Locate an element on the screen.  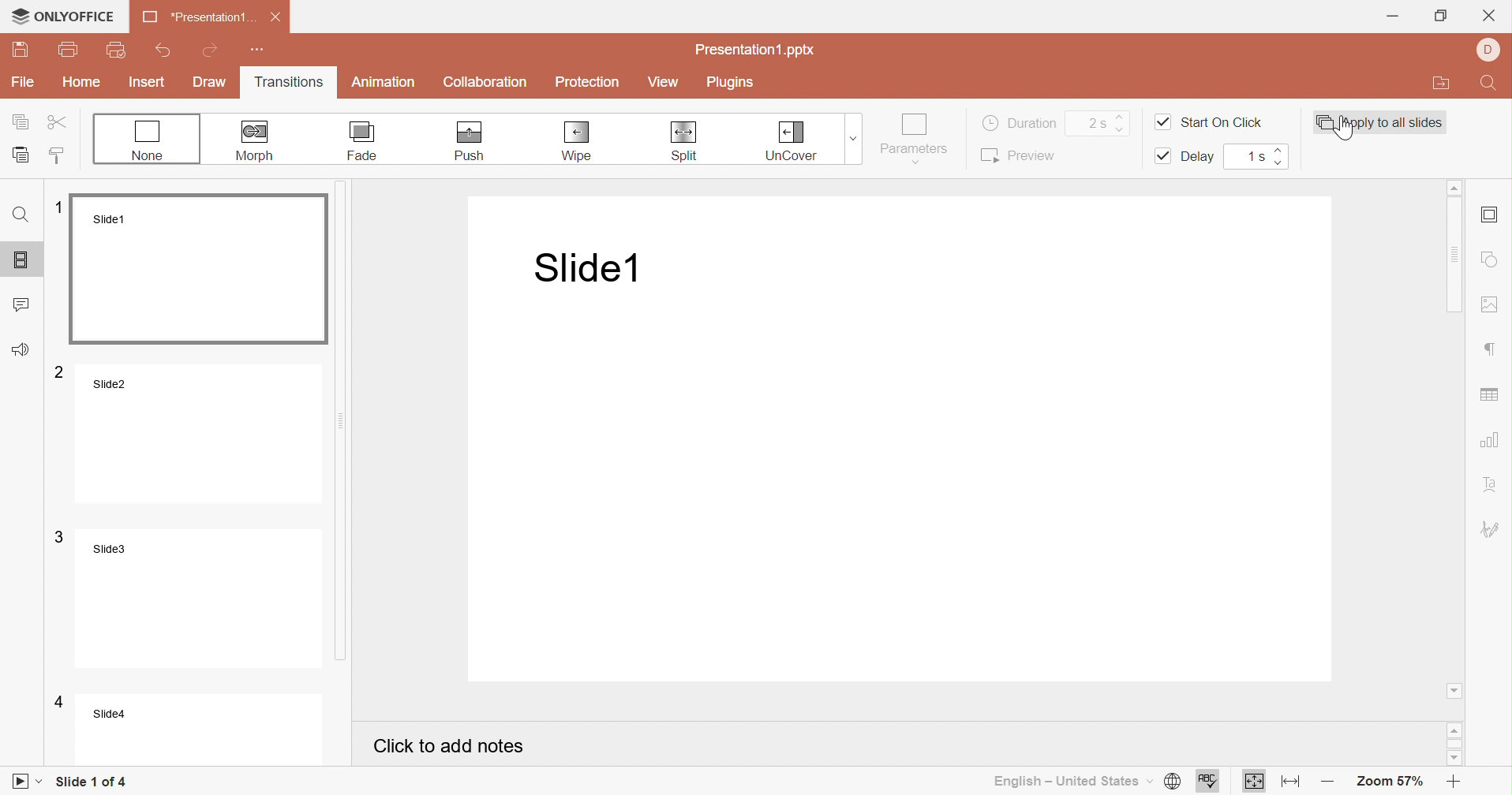
Comments is located at coordinates (24, 301).